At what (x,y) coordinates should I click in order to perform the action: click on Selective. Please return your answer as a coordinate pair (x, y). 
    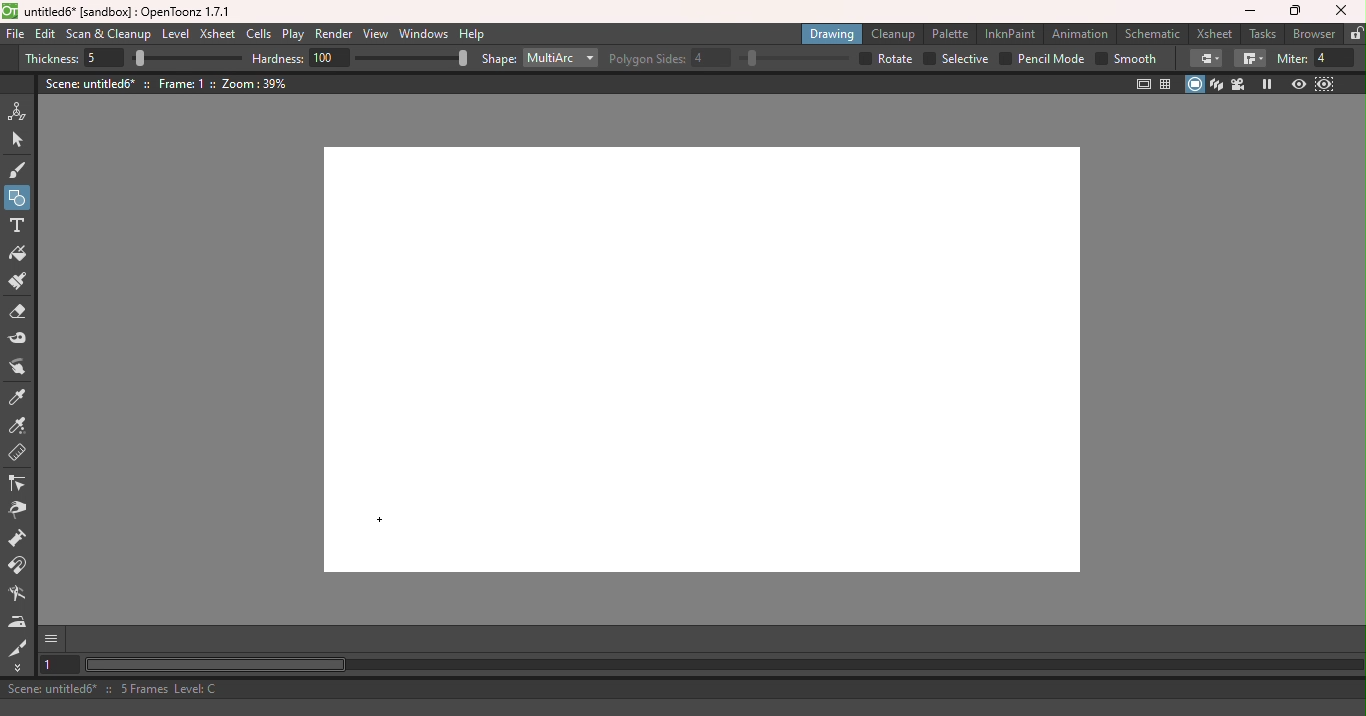
    Looking at the image, I should click on (957, 58).